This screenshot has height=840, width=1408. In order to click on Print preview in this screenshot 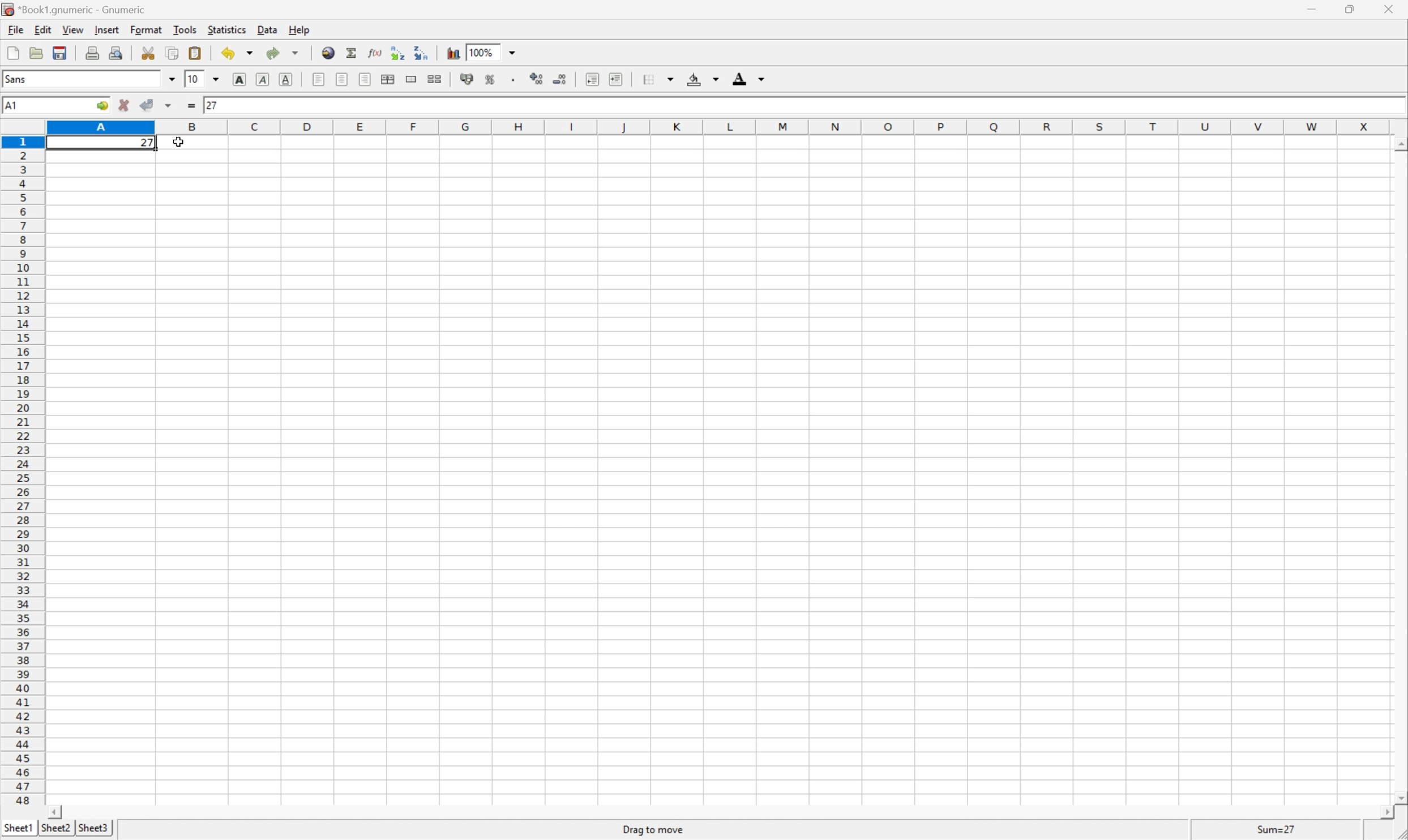, I will do `click(116, 52)`.